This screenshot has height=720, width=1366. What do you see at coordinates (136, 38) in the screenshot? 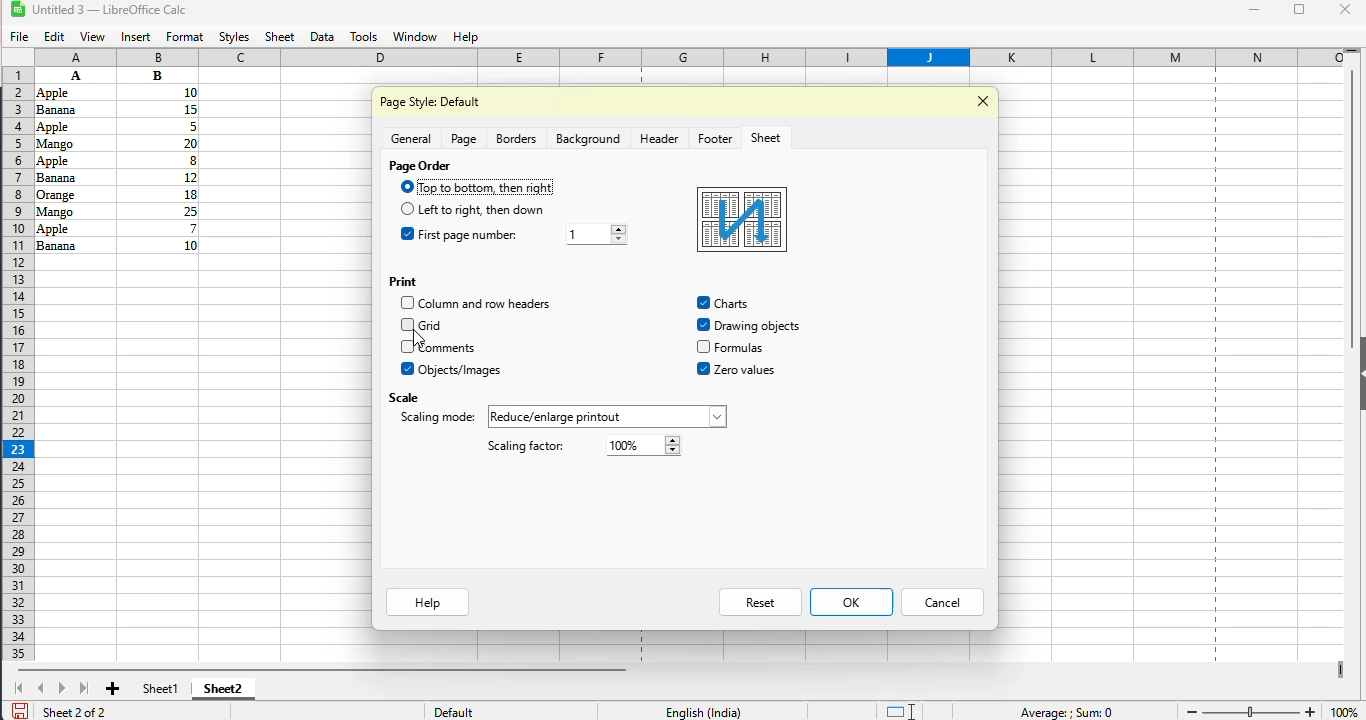
I see `insert` at bounding box center [136, 38].